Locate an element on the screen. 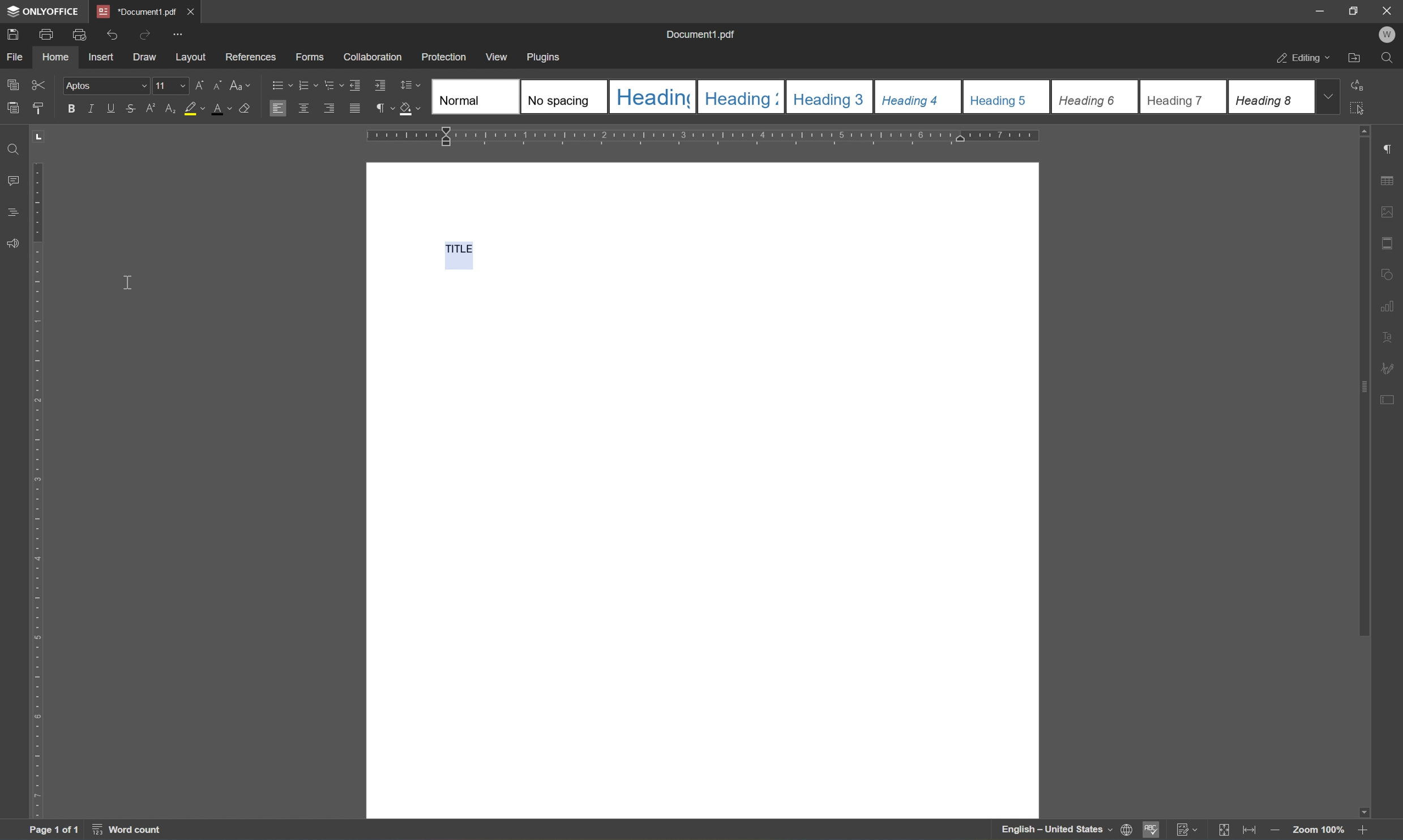  home is located at coordinates (57, 55).